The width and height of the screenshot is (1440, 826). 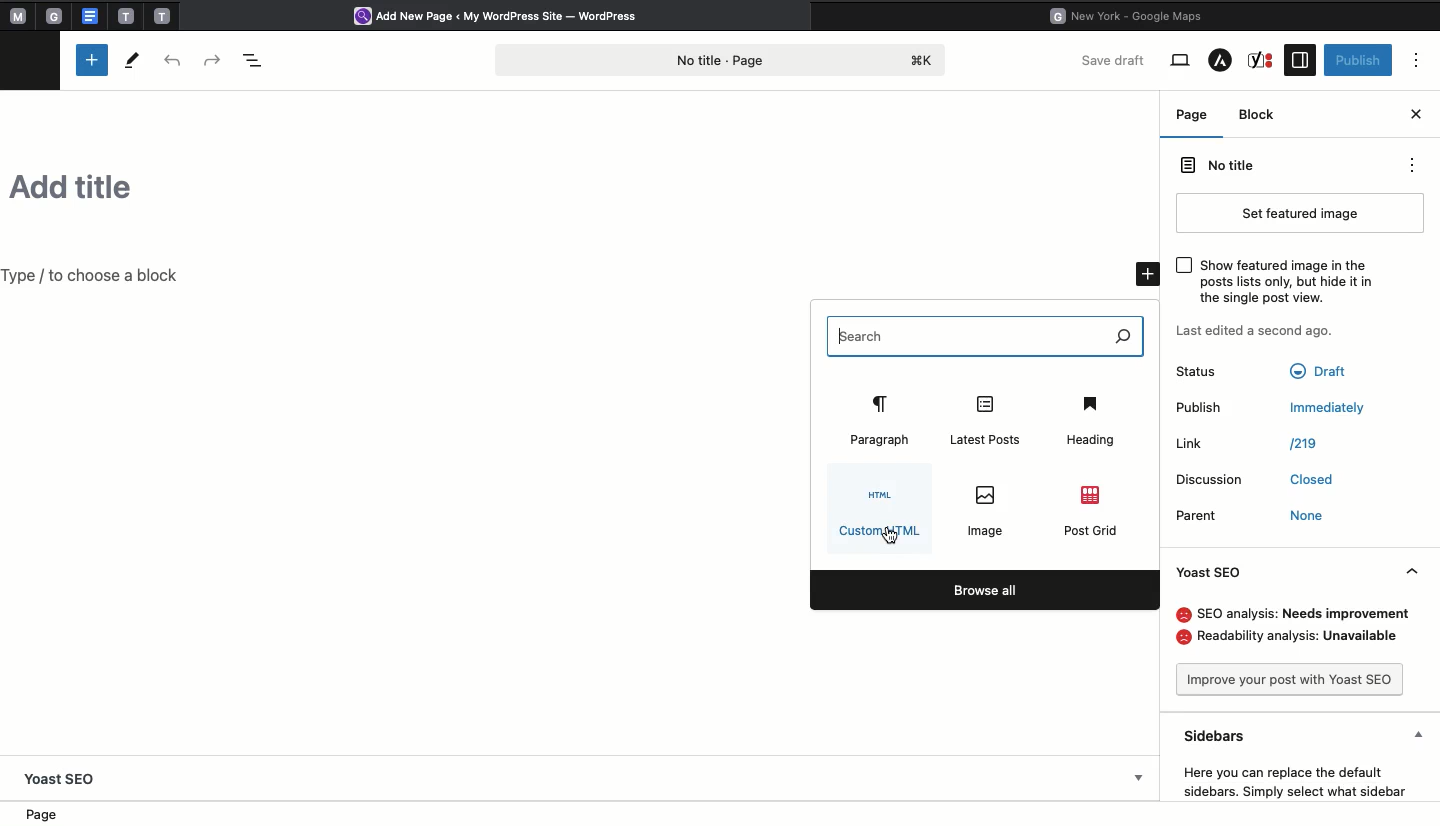 What do you see at coordinates (988, 418) in the screenshot?
I see `Latest posts` at bounding box center [988, 418].